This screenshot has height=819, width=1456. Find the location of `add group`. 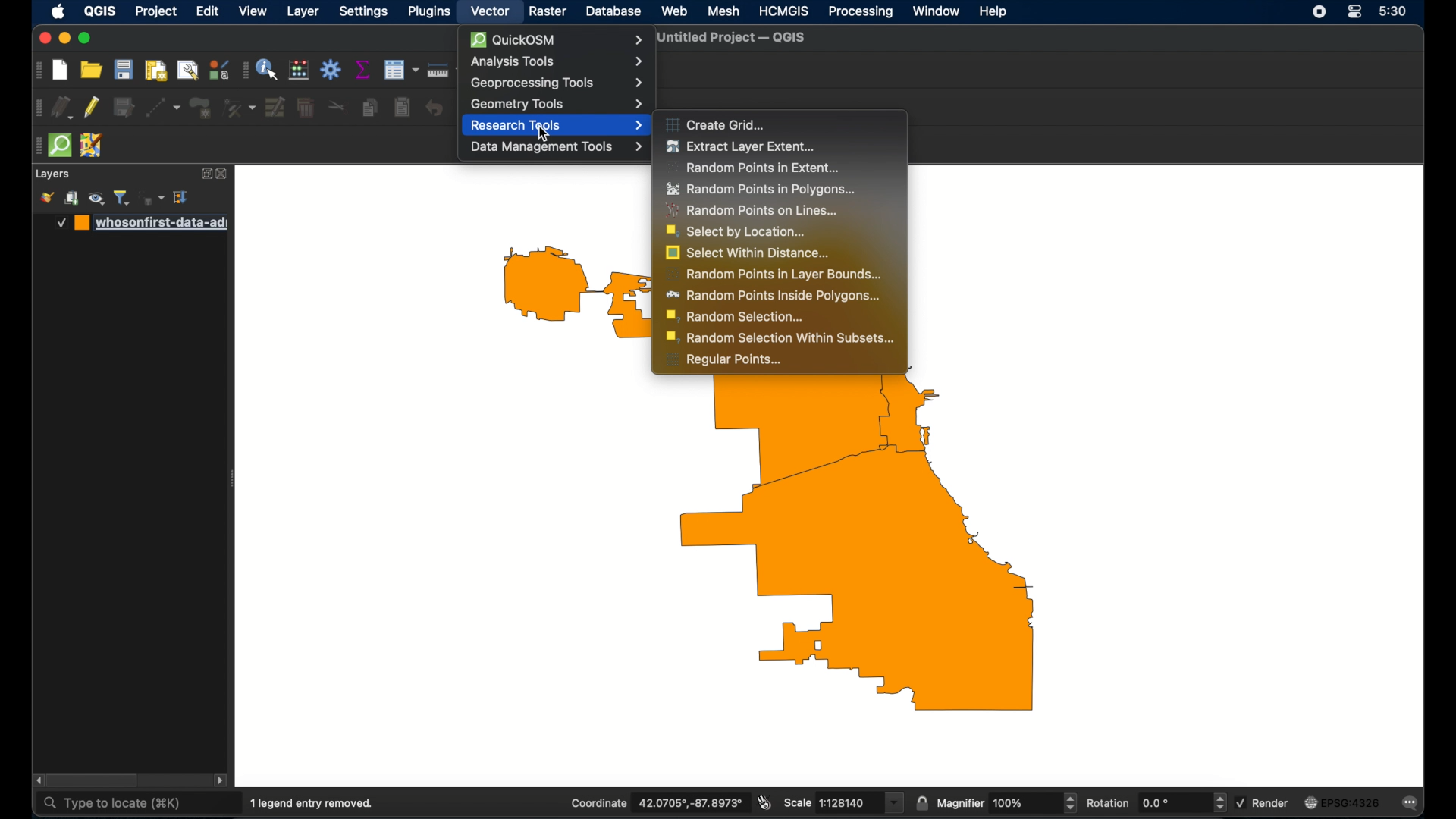

add group is located at coordinates (73, 198).